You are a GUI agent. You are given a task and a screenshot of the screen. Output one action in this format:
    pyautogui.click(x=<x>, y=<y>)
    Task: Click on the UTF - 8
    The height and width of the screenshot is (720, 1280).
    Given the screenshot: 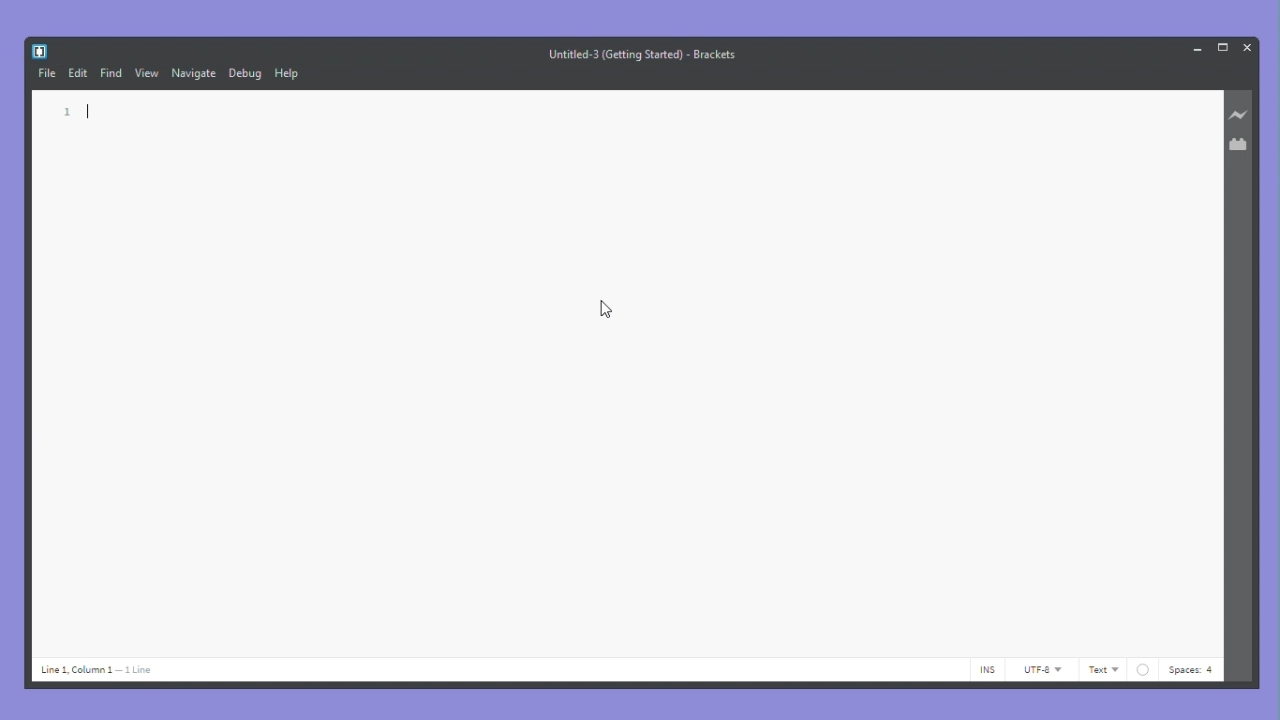 What is the action you would take?
    pyautogui.click(x=1042, y=669)
    